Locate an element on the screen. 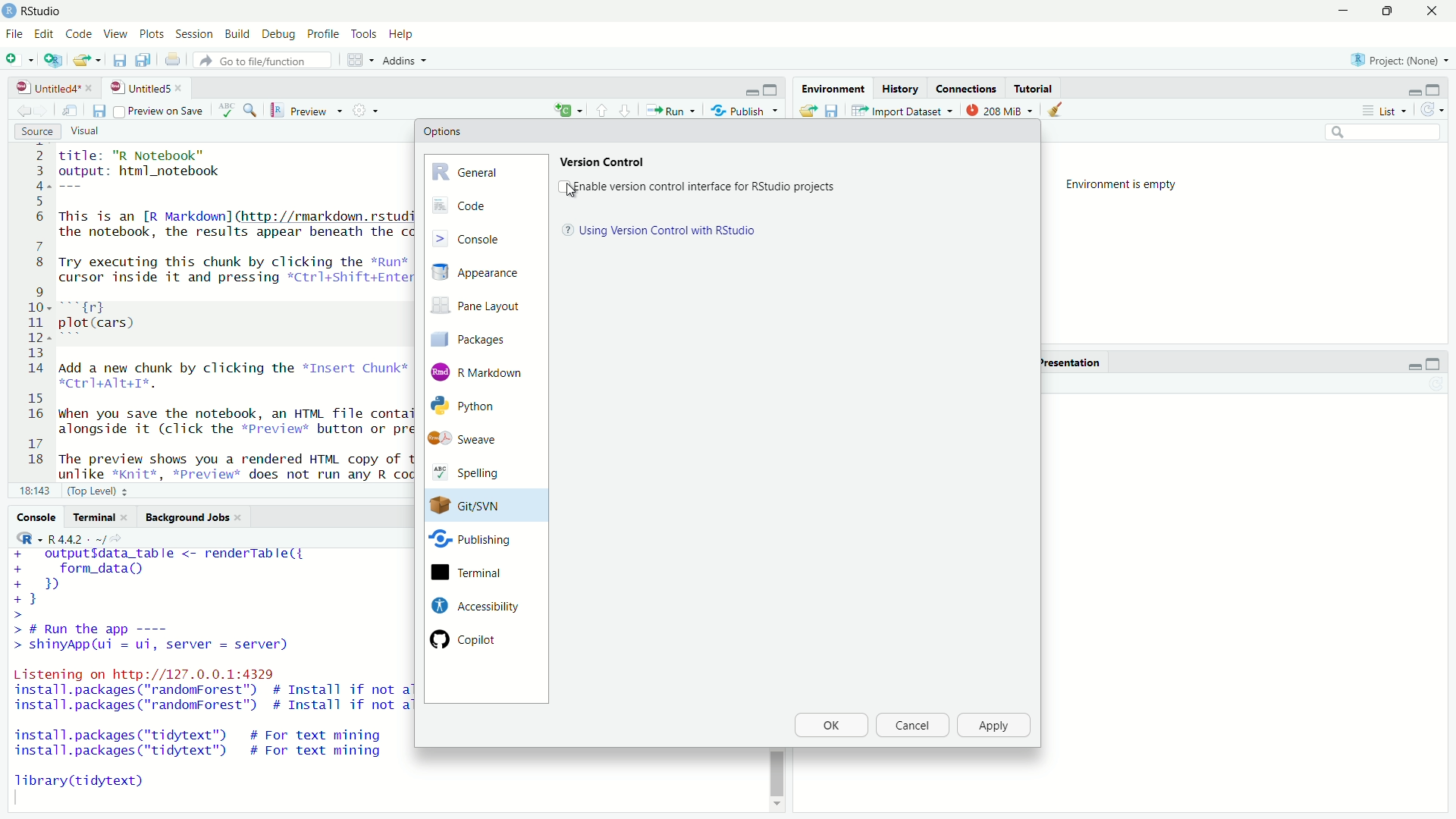  Build is located at coordinates (239, 35).